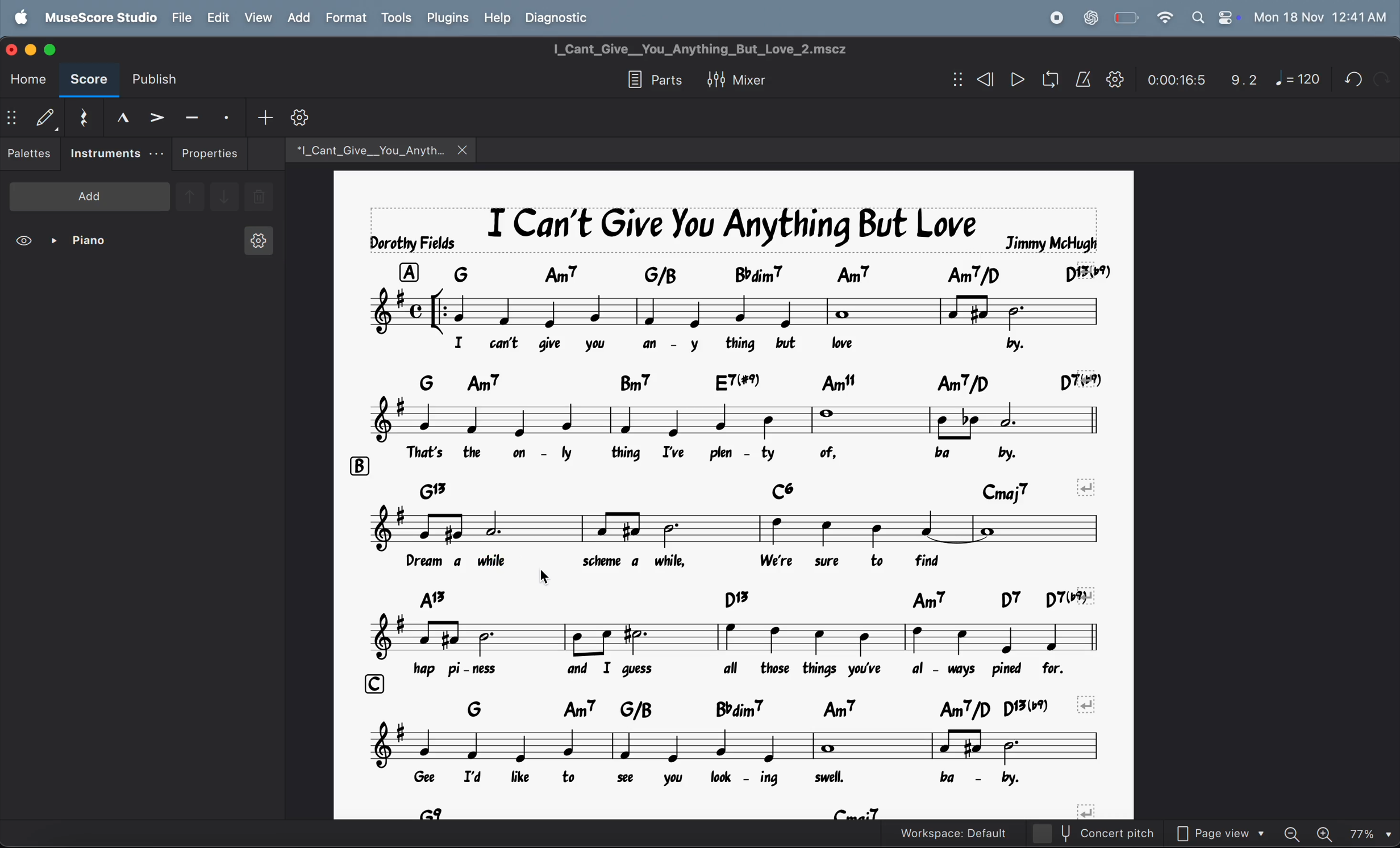 Image resolution: width=1400 pixels, height=848 pixels. I want to click on go downward, so click(226, 195).